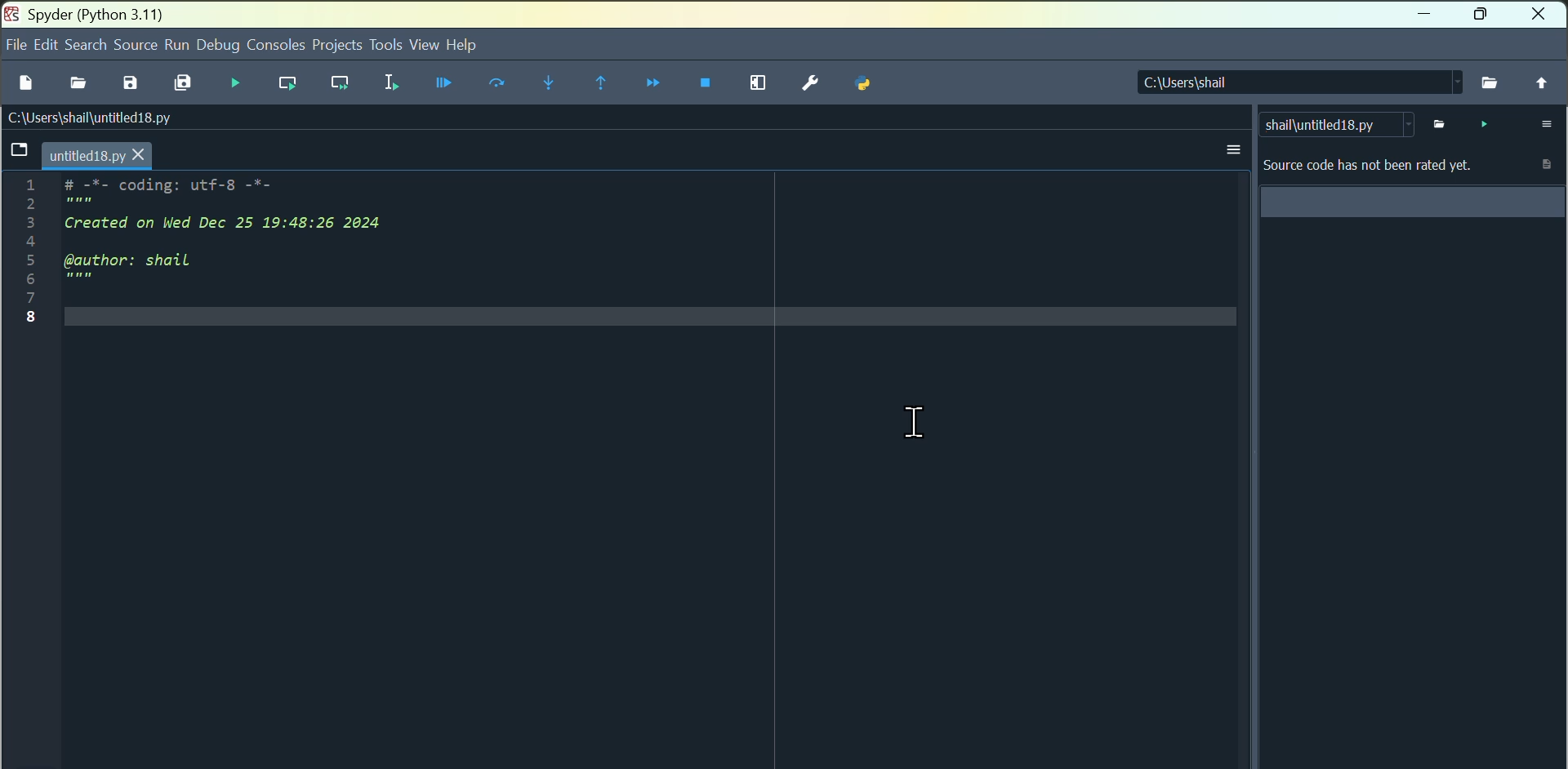  What do you see at coordinates (48, 45) in the screenshot?
I see `Edit` at bounding box center [48, 45].